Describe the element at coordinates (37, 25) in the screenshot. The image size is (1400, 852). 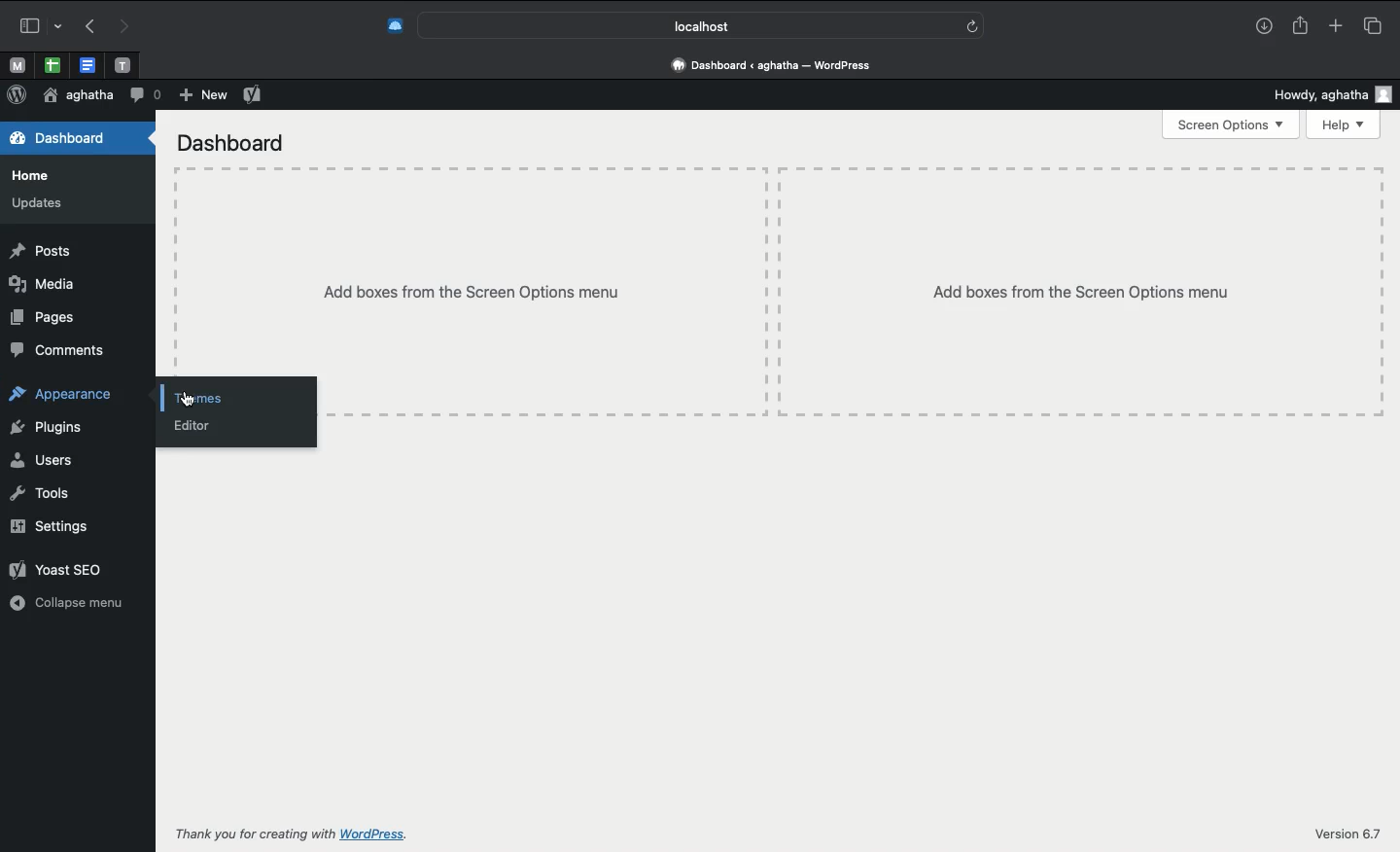
I see `Sidebar` at that location.